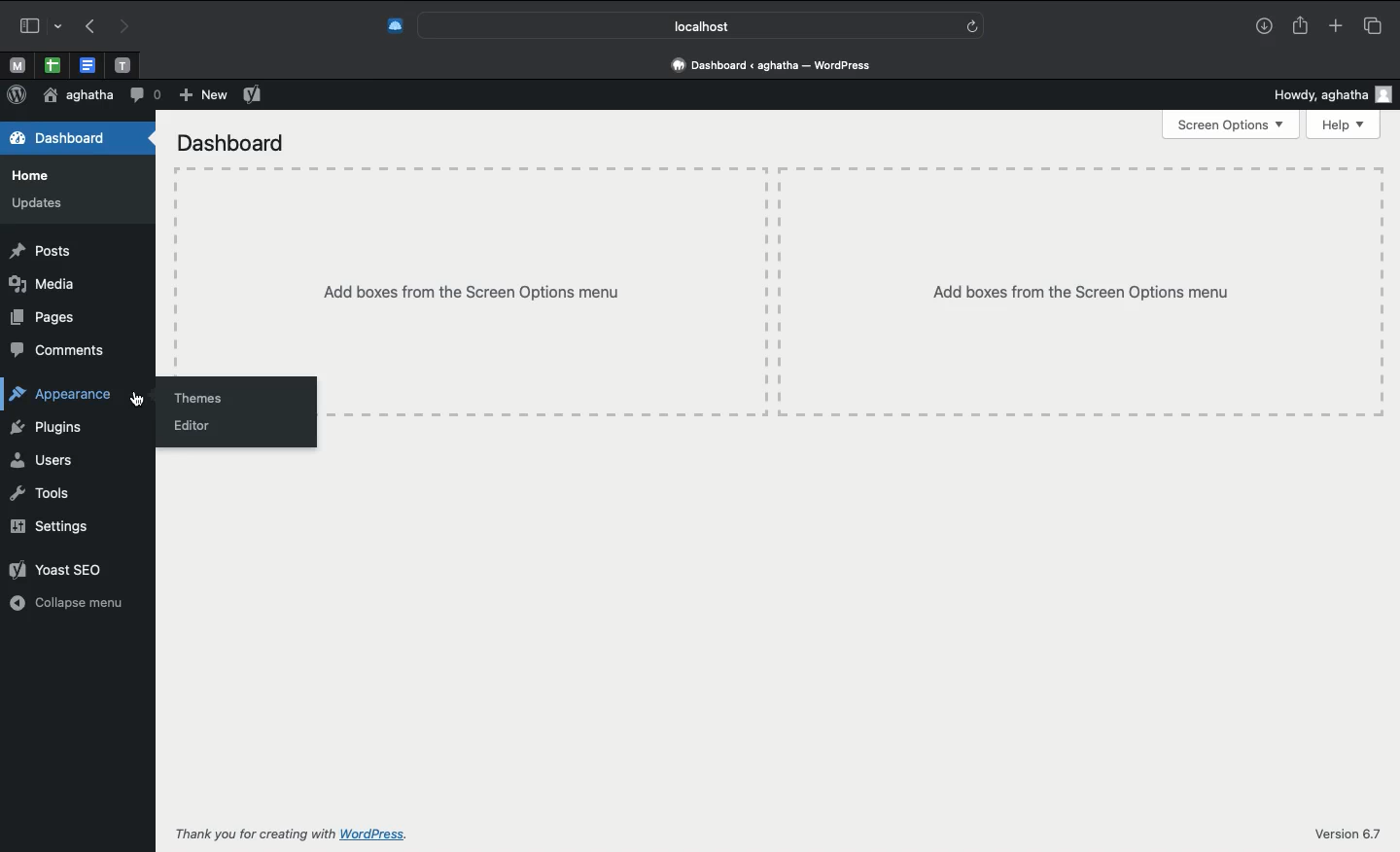 The width and height of the screenshot is (1400, 852). Describe the element at coordinates (37, 251) in the screenshot. I see `Posts` at that location.